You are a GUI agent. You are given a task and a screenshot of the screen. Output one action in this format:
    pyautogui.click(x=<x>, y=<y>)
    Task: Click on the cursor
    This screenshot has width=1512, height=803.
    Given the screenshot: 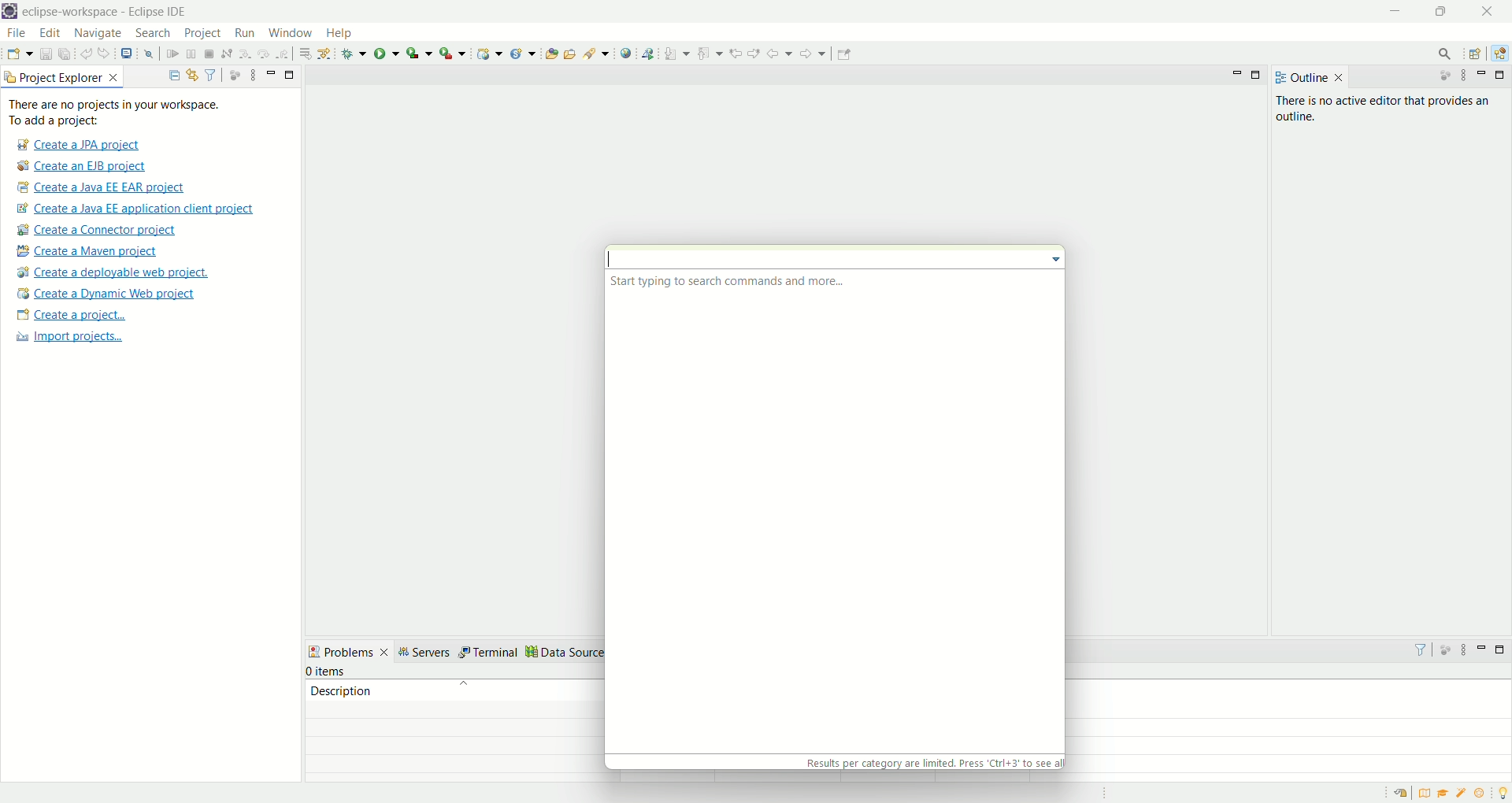 What is the action you would take?
    pyautogui.click(x=615, y=259)
    